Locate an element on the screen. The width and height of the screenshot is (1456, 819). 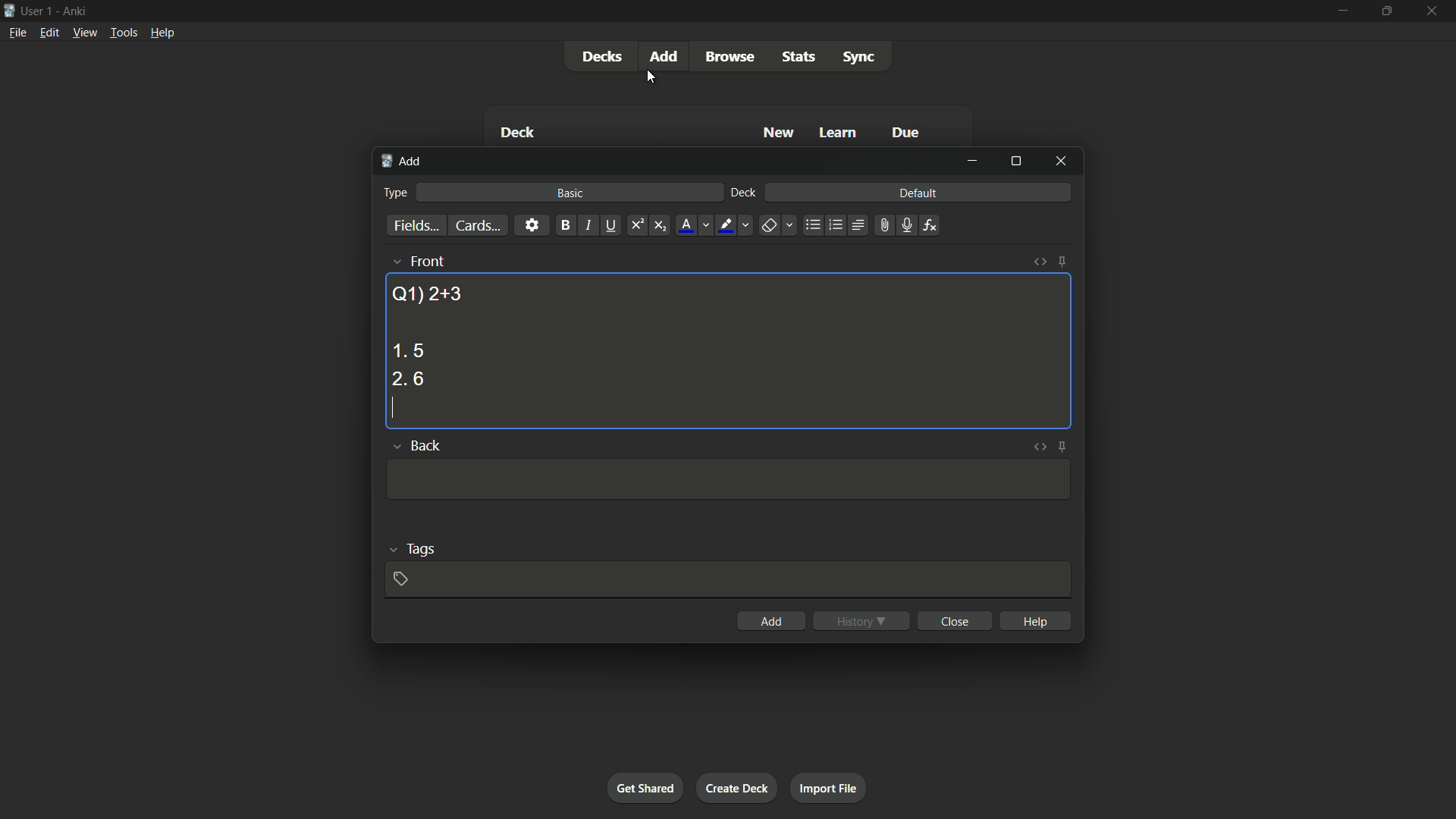
alignment is located at coordinates (857, 226).